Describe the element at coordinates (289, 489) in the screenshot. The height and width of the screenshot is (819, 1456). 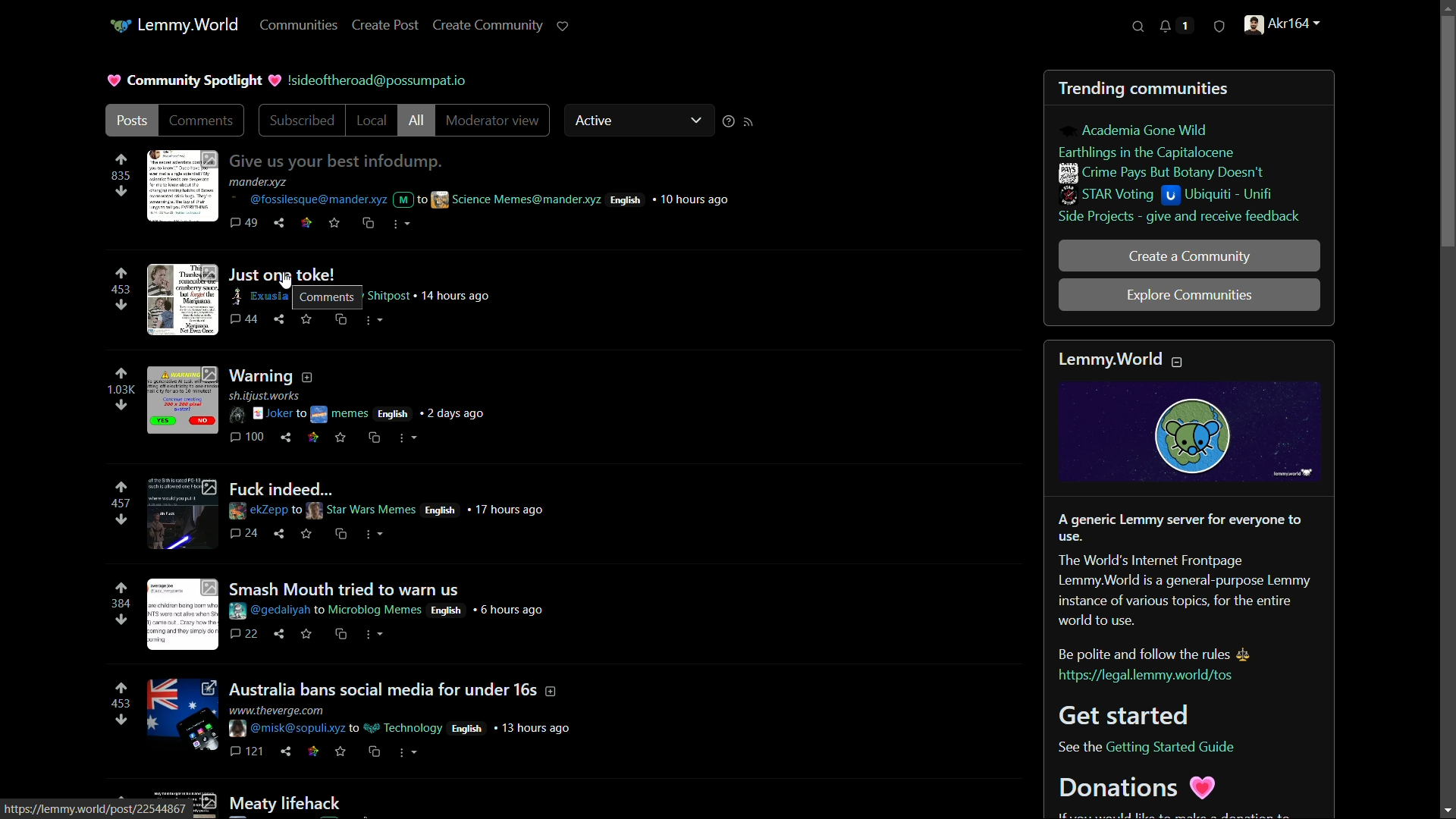
I see `Fuck indeed...` at that location.